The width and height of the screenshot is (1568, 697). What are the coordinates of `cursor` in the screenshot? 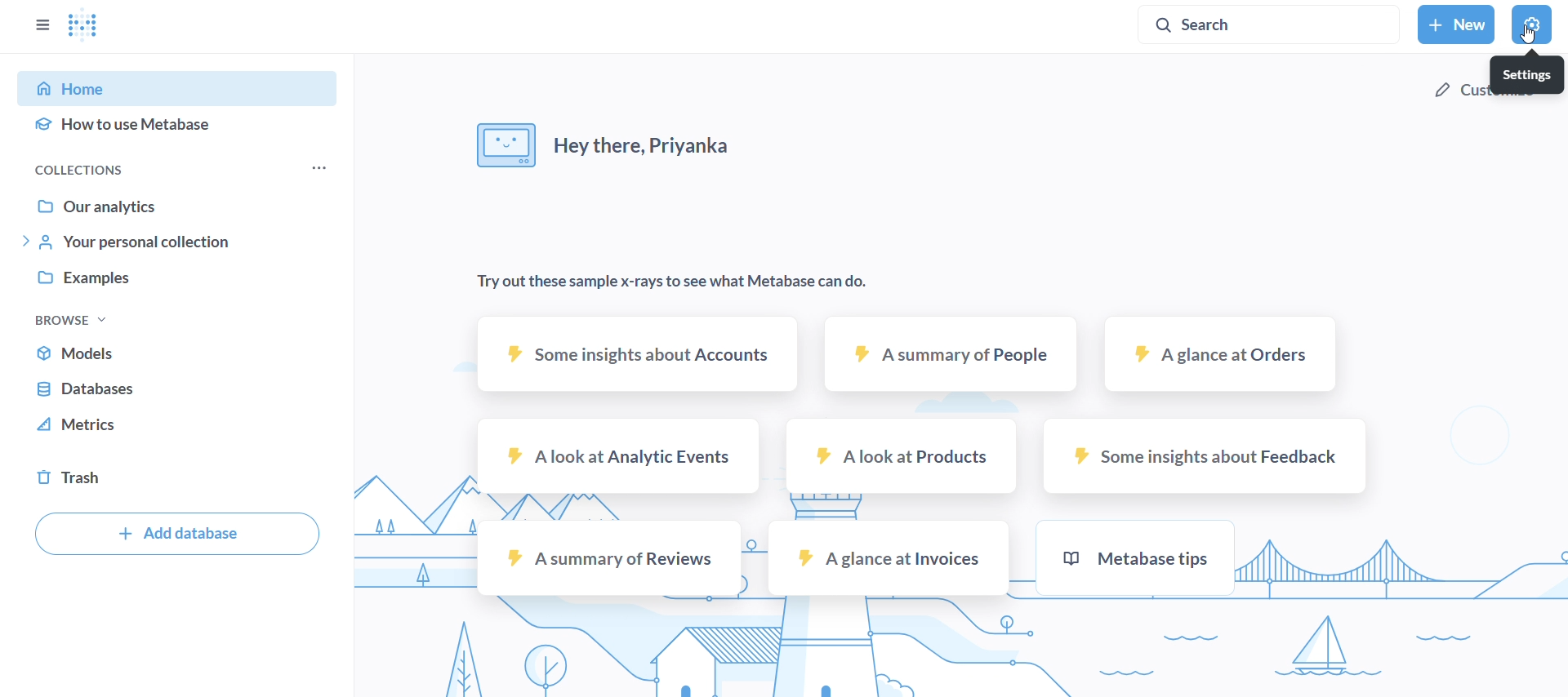 It's located at (1529, 37).